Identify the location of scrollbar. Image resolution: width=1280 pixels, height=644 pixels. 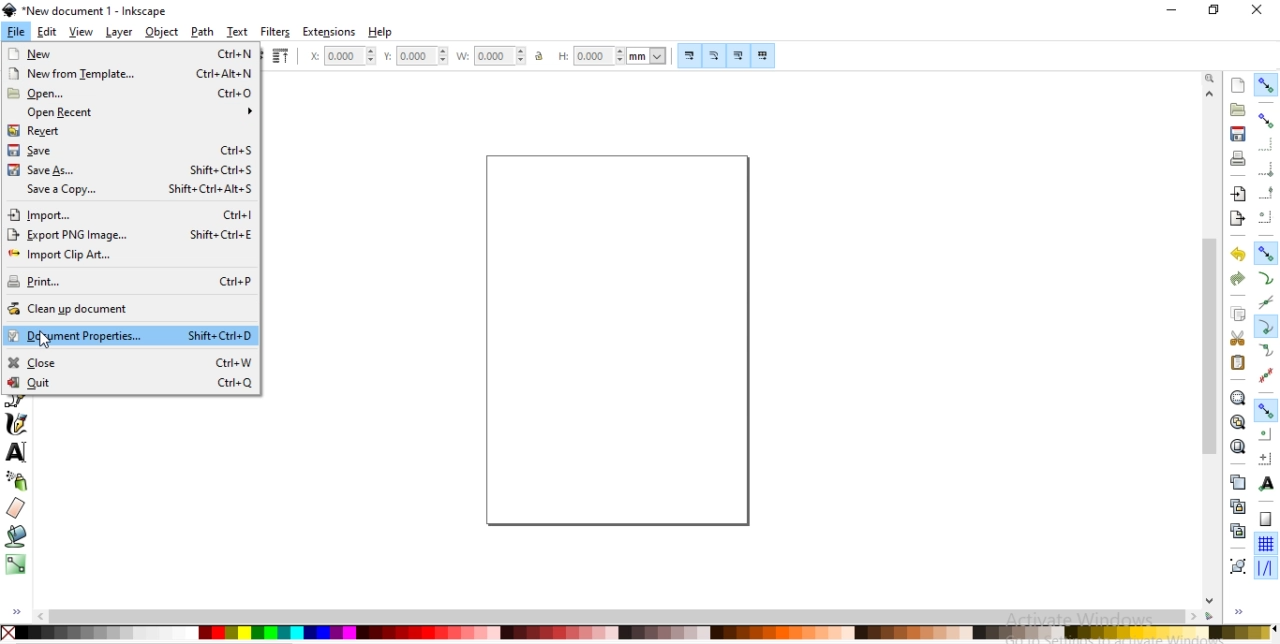
(1211, 398).